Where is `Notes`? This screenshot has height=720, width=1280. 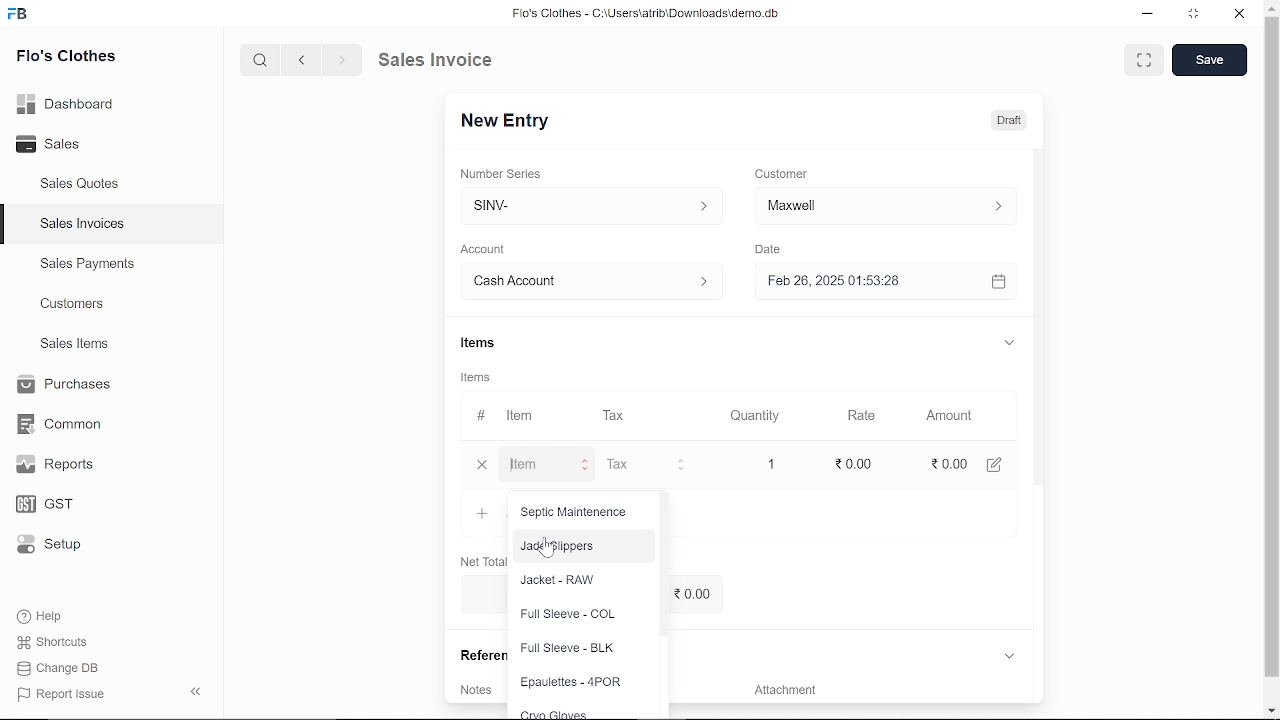 Notes is located at coordinates (469, 694).